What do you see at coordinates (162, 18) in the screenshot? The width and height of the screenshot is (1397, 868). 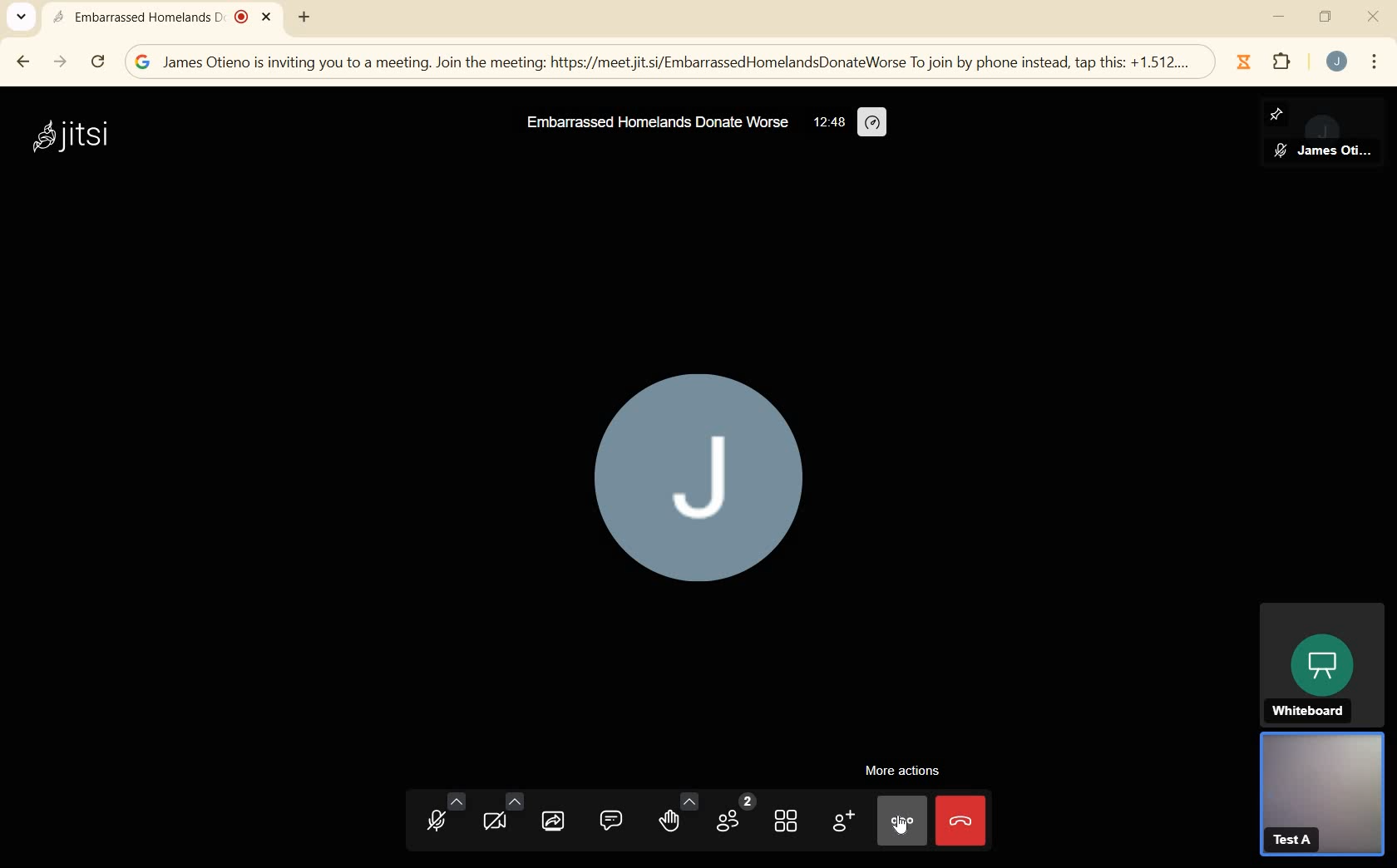 I see `Embarrassed Homelands D` at bounding box center [162, 18].